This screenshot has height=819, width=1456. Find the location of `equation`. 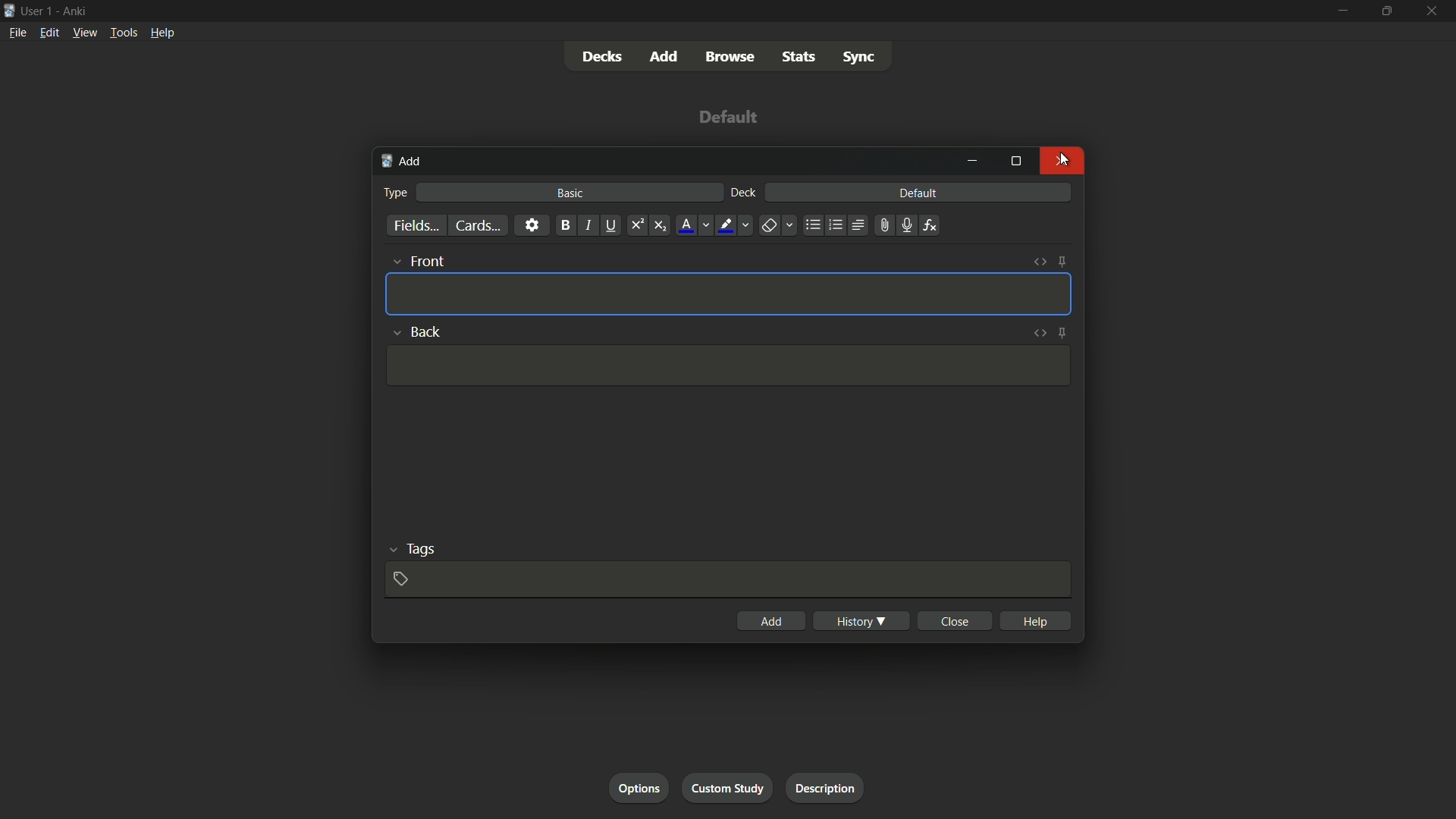

equation is located at coordinates (932, 225).